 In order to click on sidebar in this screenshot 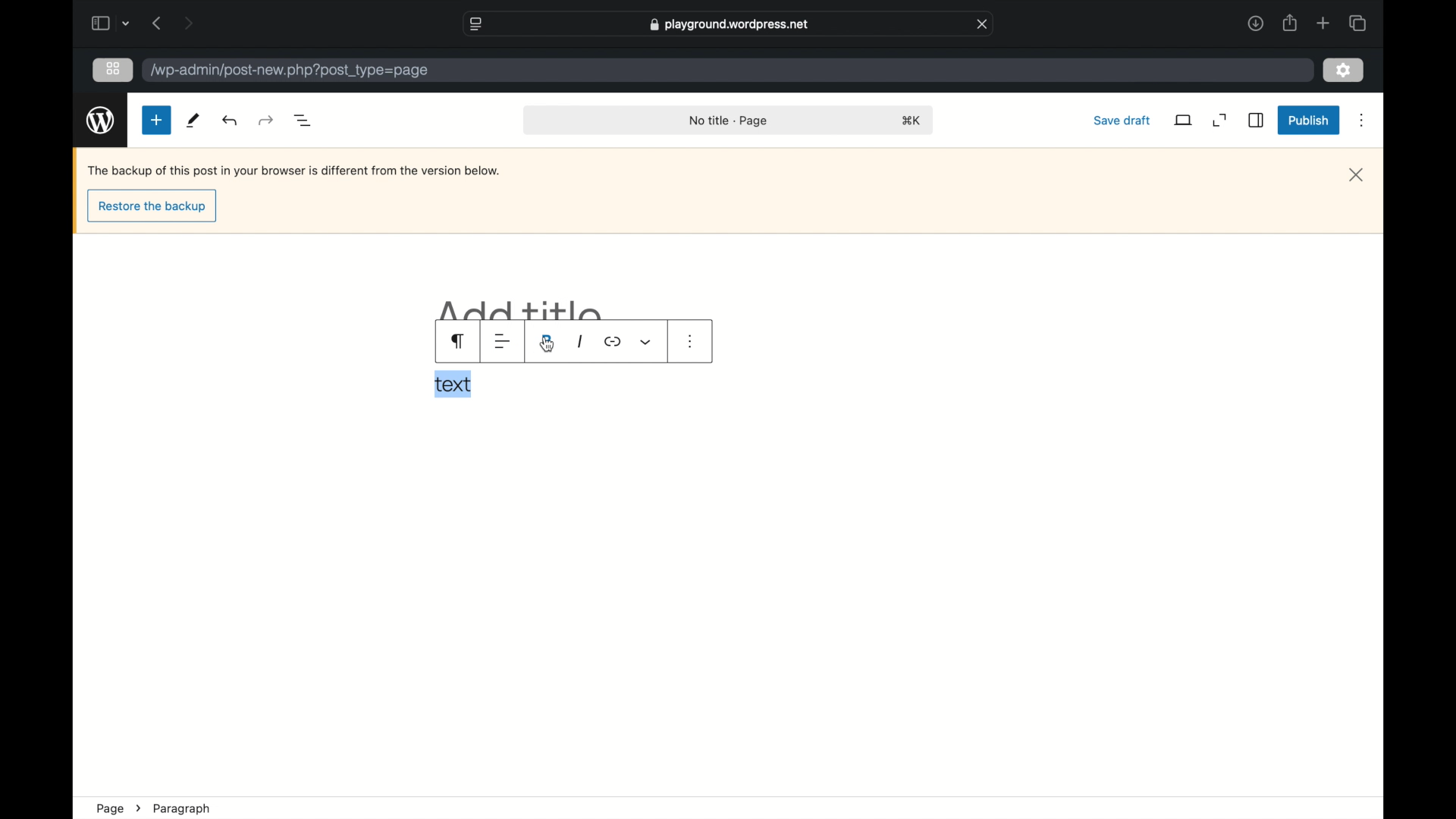, I will do `click(1257, 121)`.